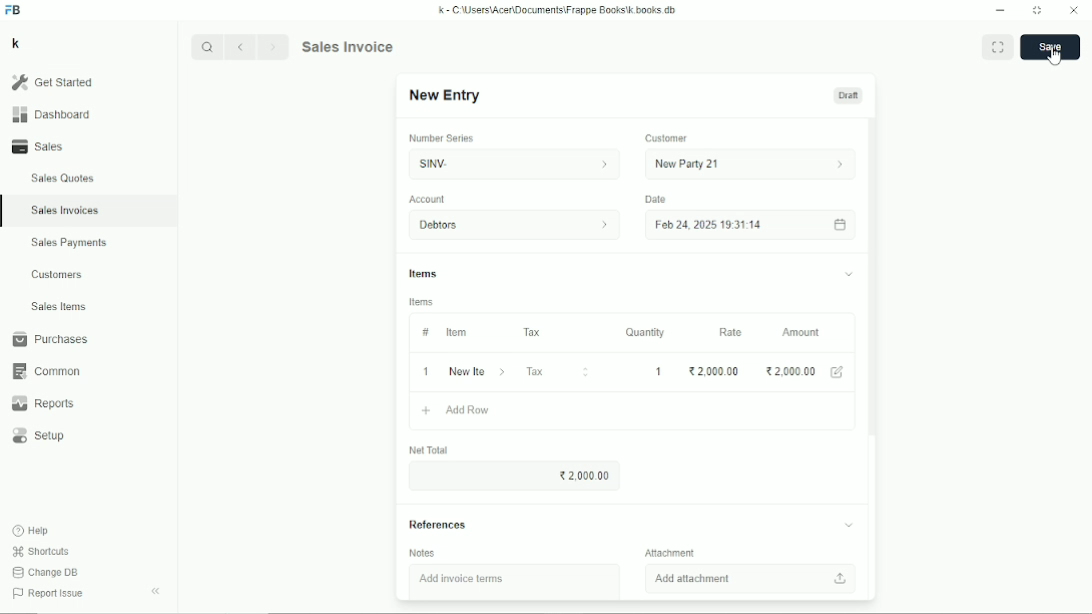 The image size is (1092, 614). I want to click on Sales items, so click(58, 307).